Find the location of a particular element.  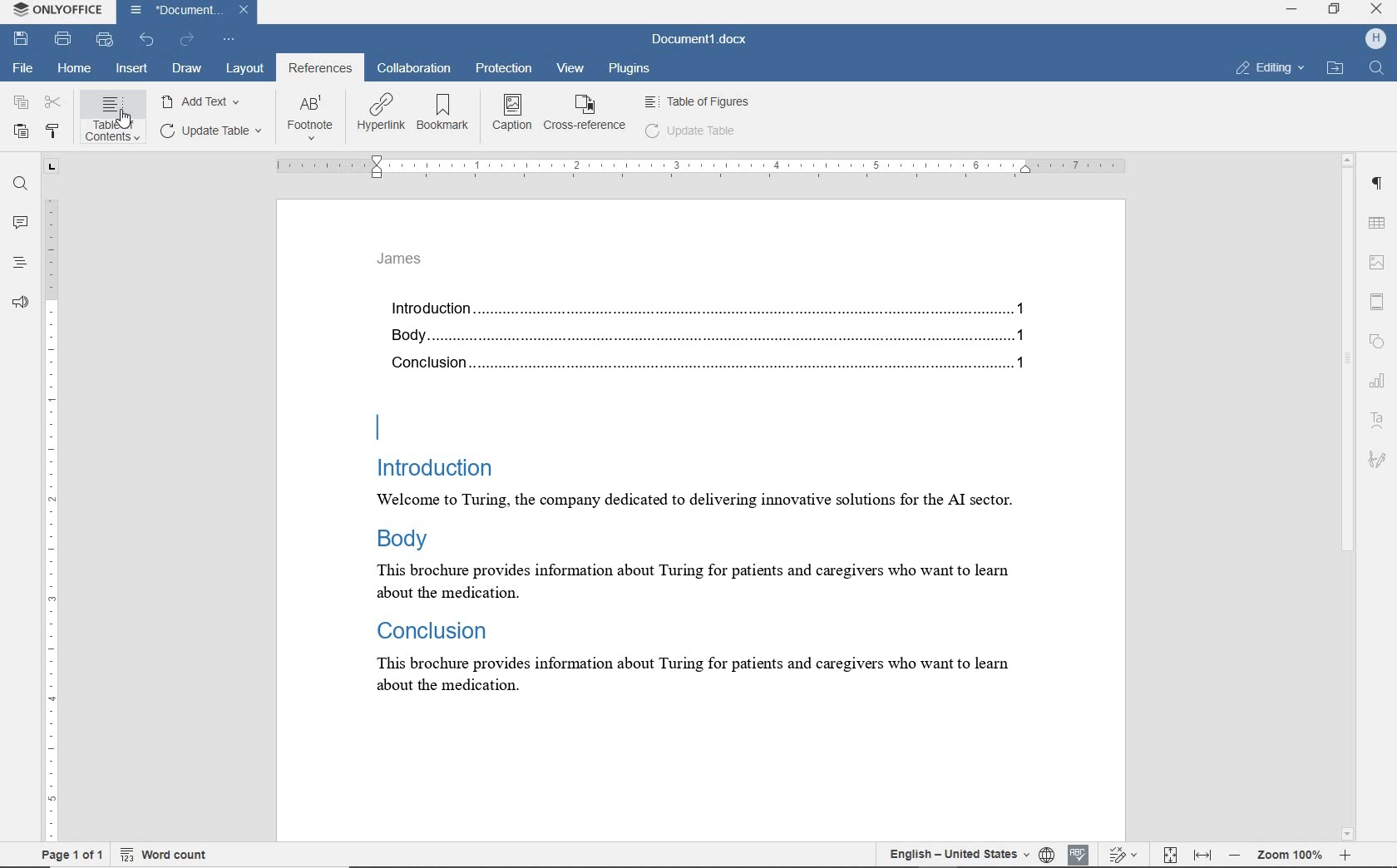

copy style is located at coordinates (55, 129).